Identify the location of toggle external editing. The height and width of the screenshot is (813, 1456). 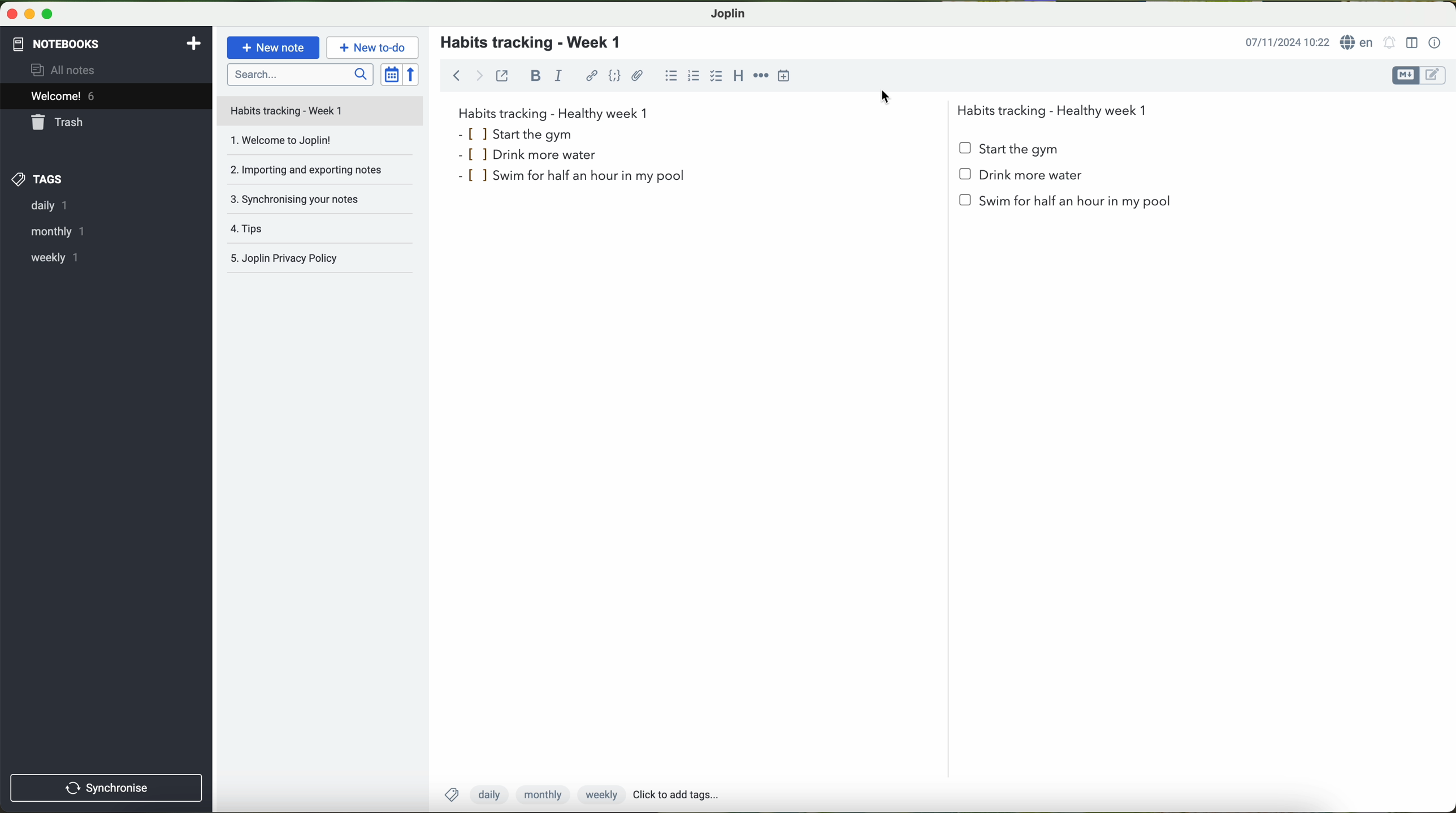
(502, 75).